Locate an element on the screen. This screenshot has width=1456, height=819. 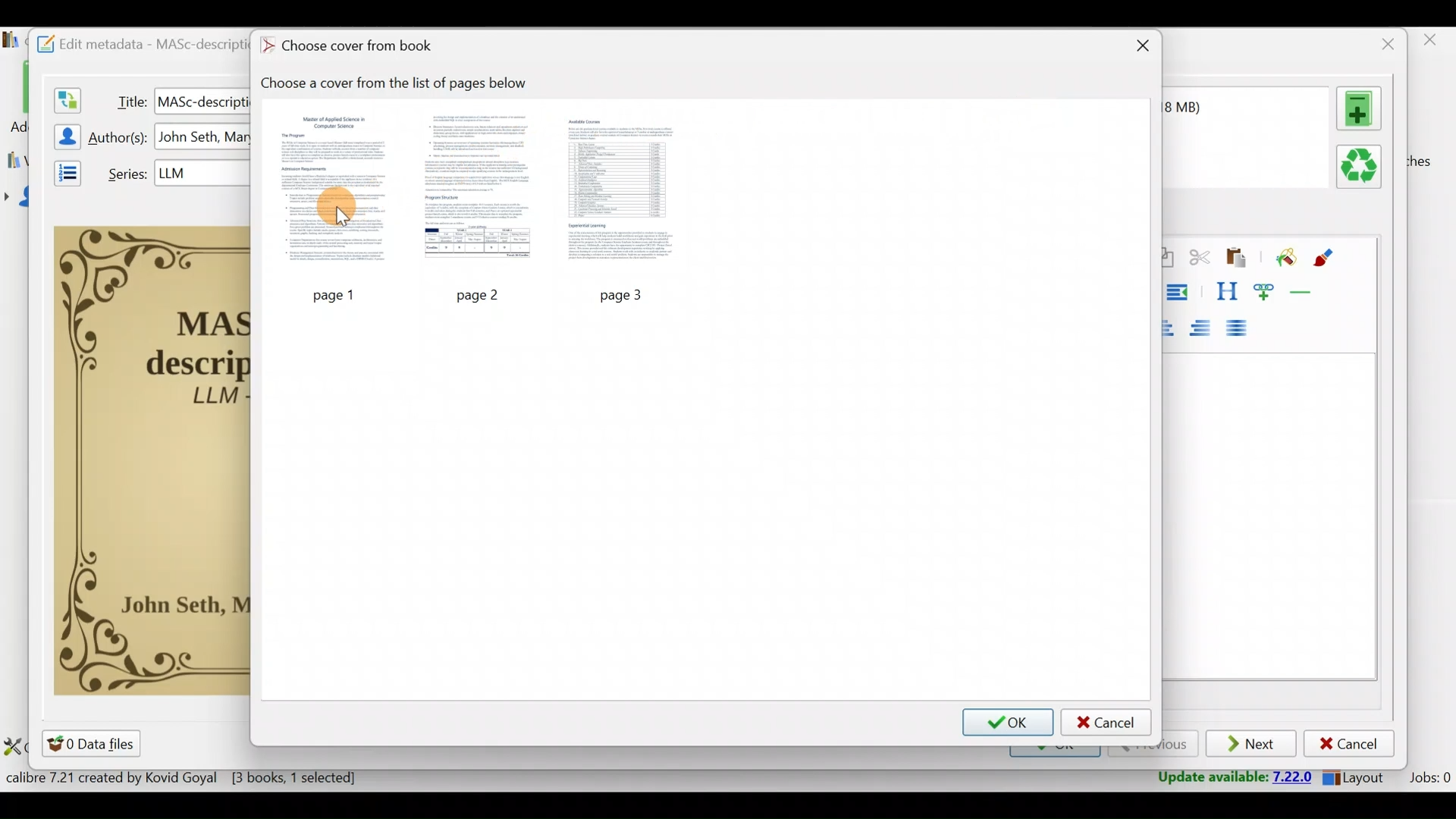
Edit metadata is located at coordinates (134, 42).